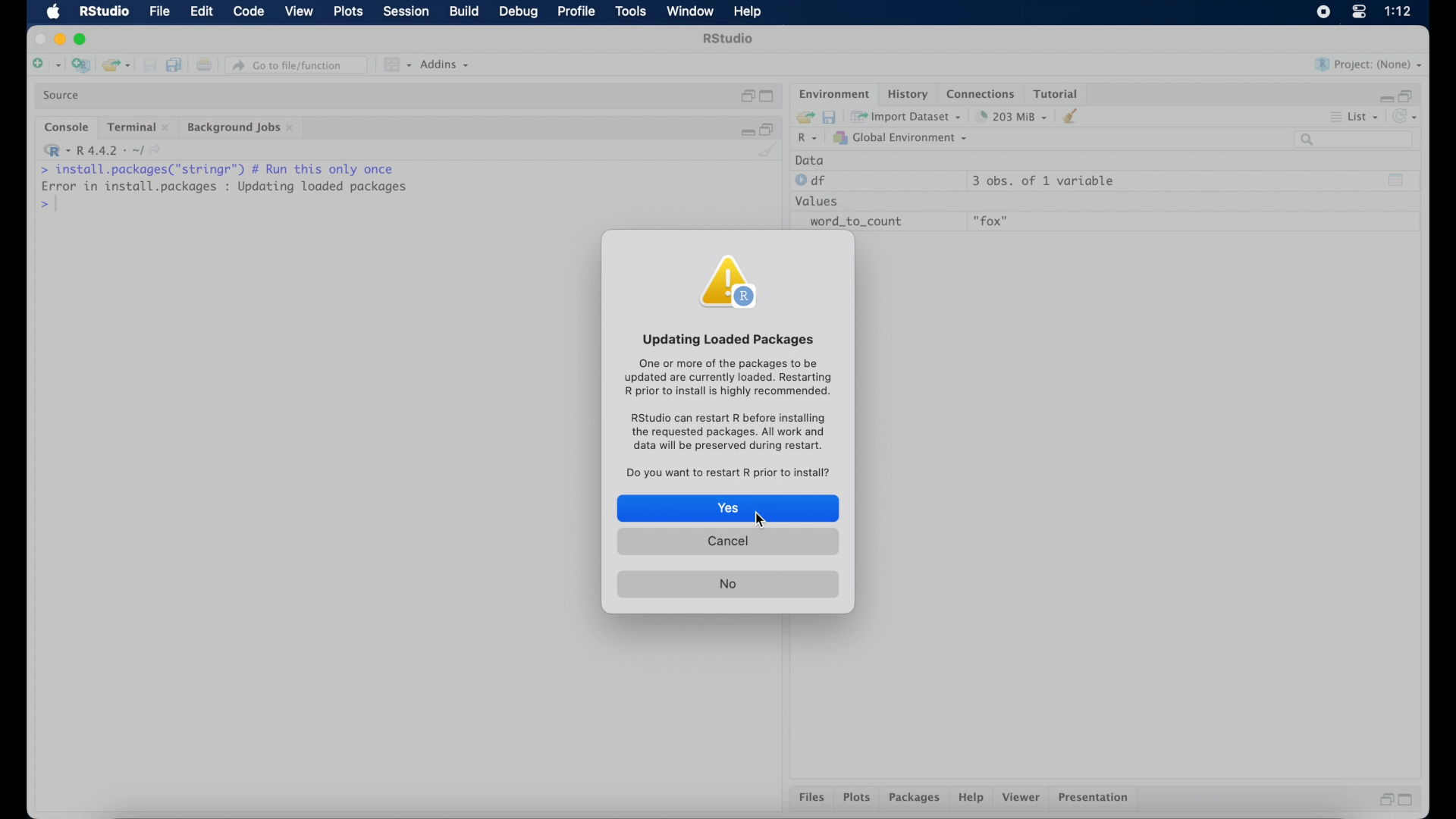 This screenshot has width=1456, height=819. What do you see at coordinates (761, 520) in the screenshot?
I see `cursor` at bounding box center [761, 520].